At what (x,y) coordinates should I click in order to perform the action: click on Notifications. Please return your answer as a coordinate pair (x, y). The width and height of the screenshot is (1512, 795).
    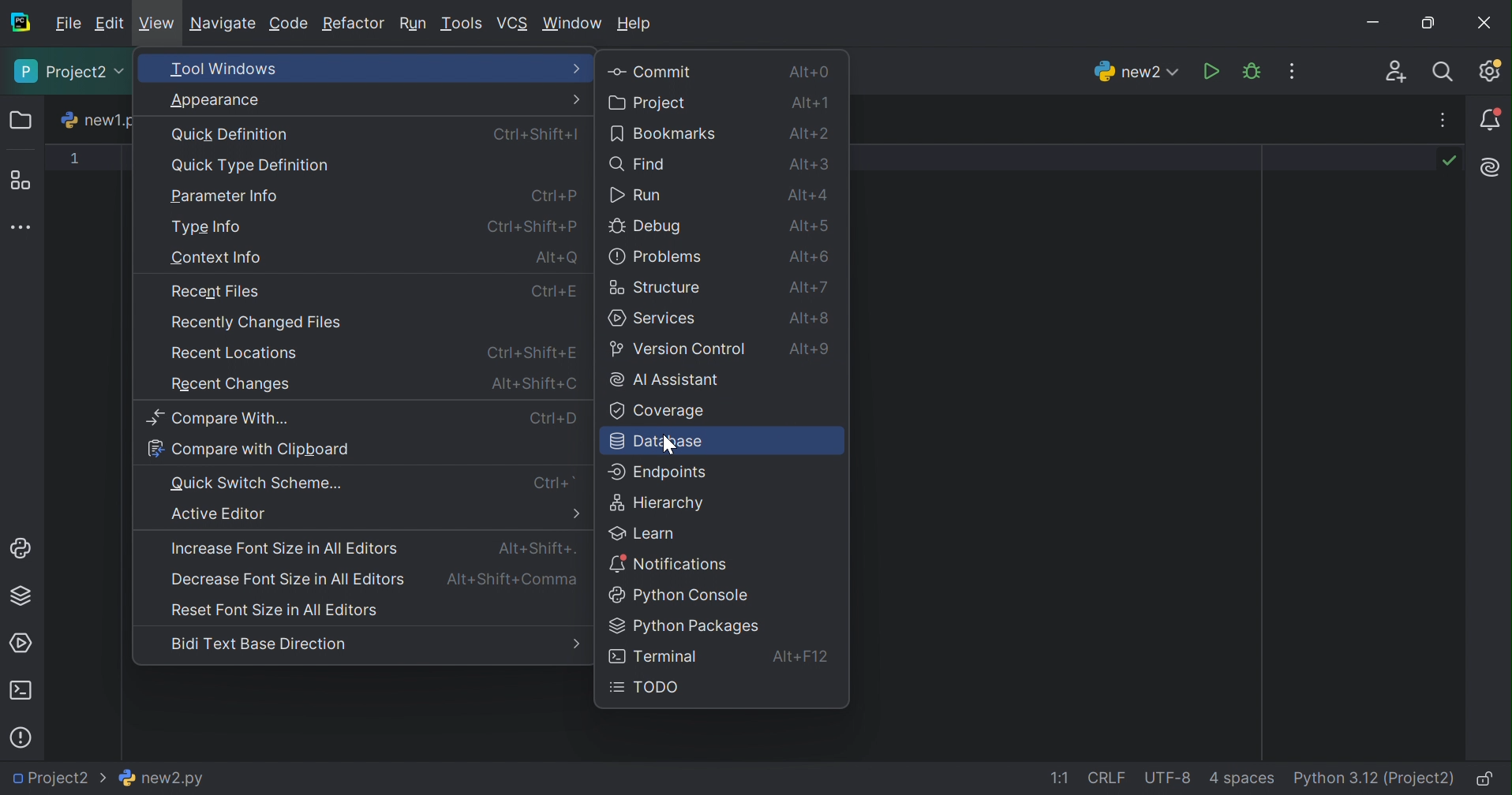
    Looking at the image, I should click on (668, 564).